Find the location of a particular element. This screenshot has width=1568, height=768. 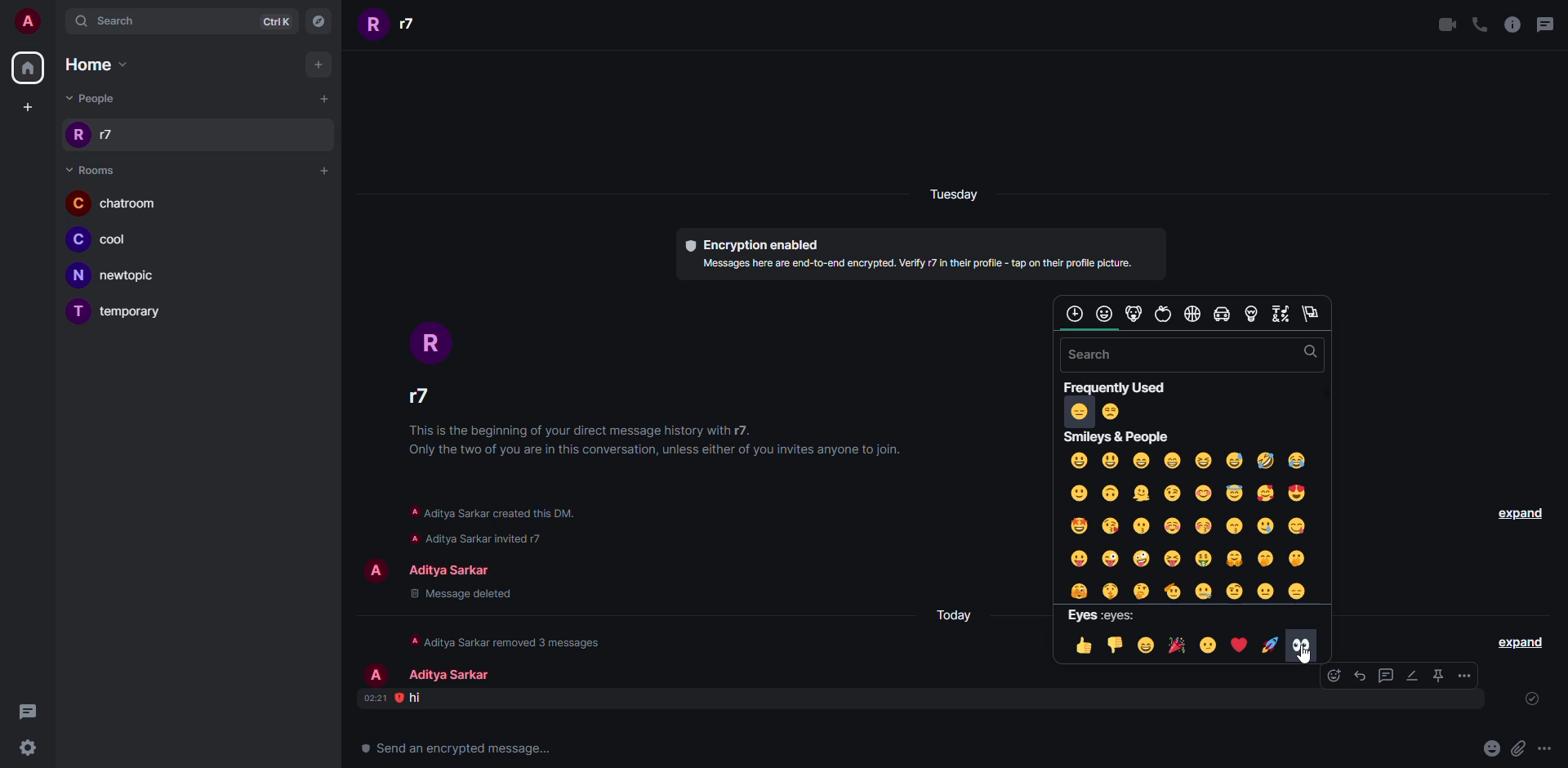

info is located at coordinates (490, 511).